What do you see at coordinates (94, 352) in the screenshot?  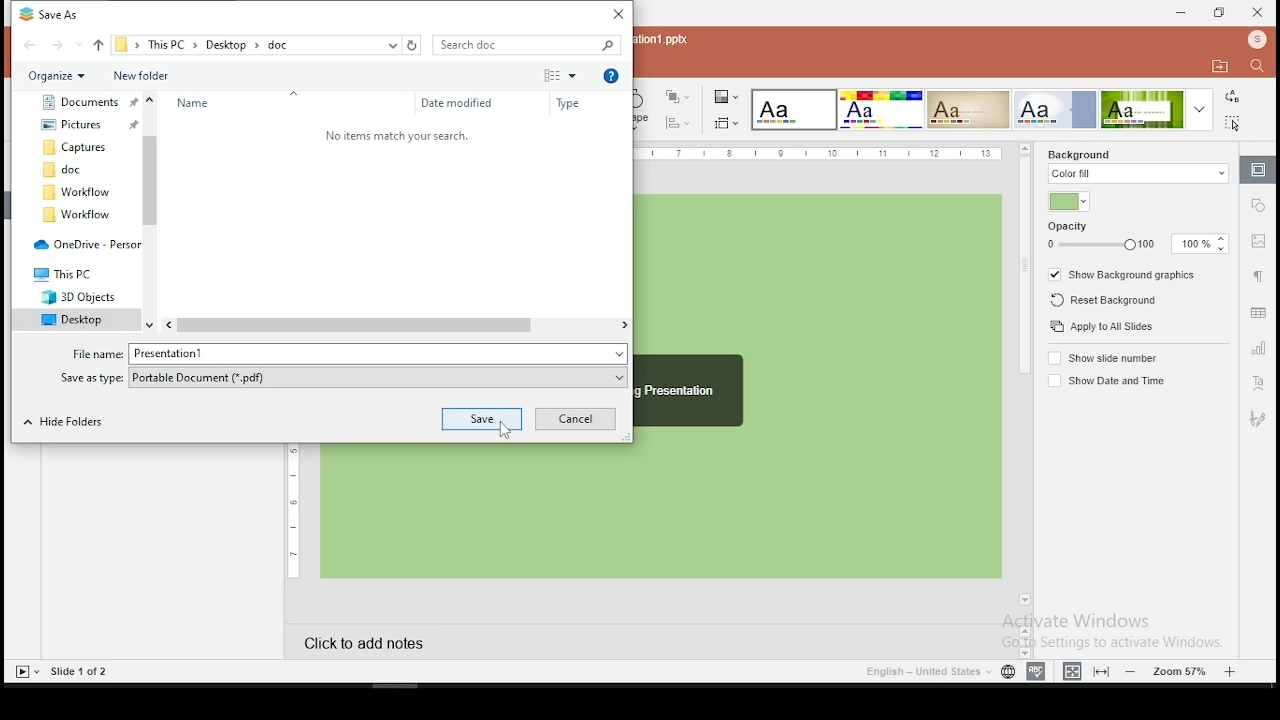 I see `File name` at bounding box center [94, 352].